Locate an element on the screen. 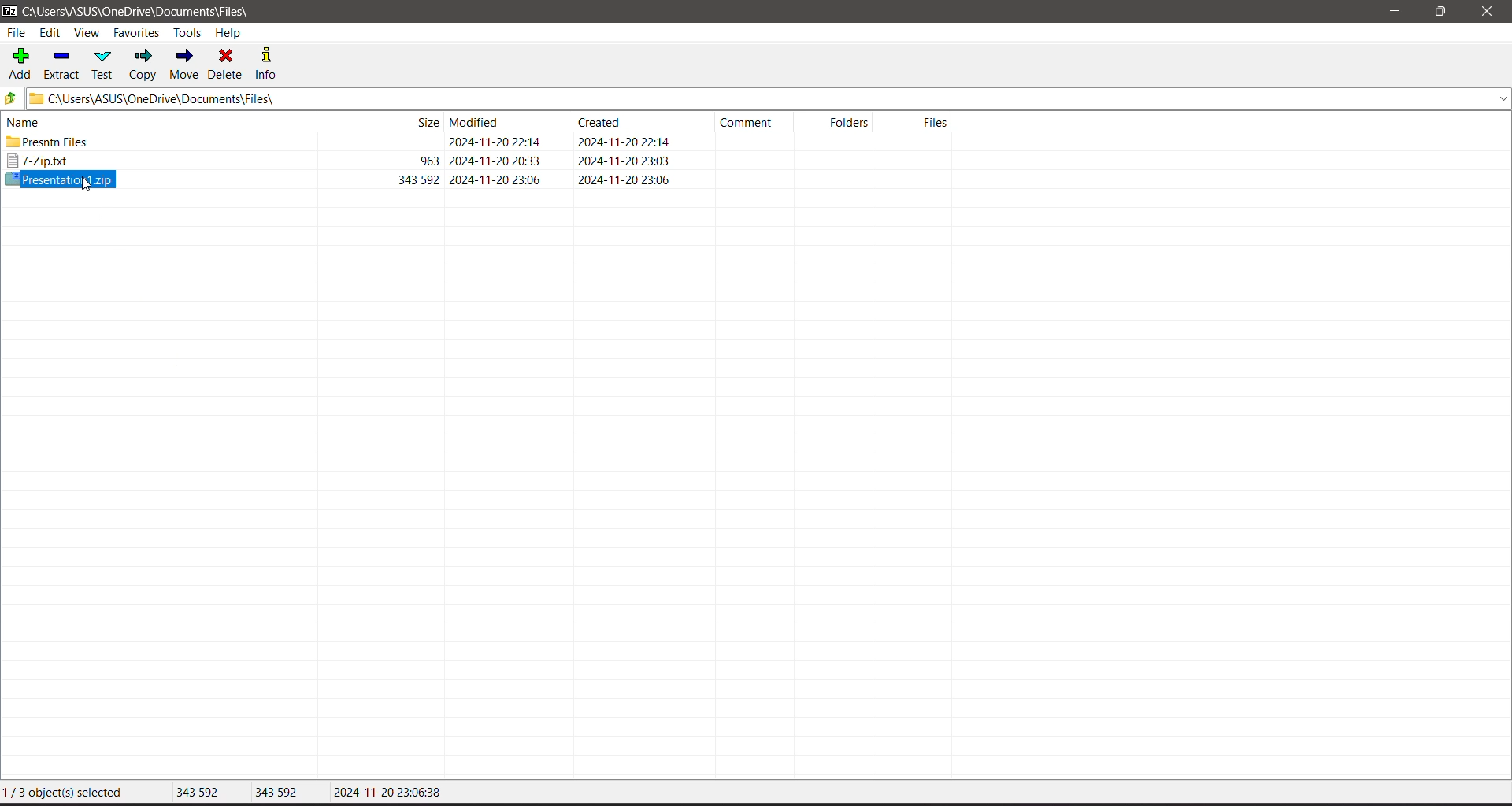 The width and height of the screenshot is (1512, 806). Add is located at coordinates (20, 62).